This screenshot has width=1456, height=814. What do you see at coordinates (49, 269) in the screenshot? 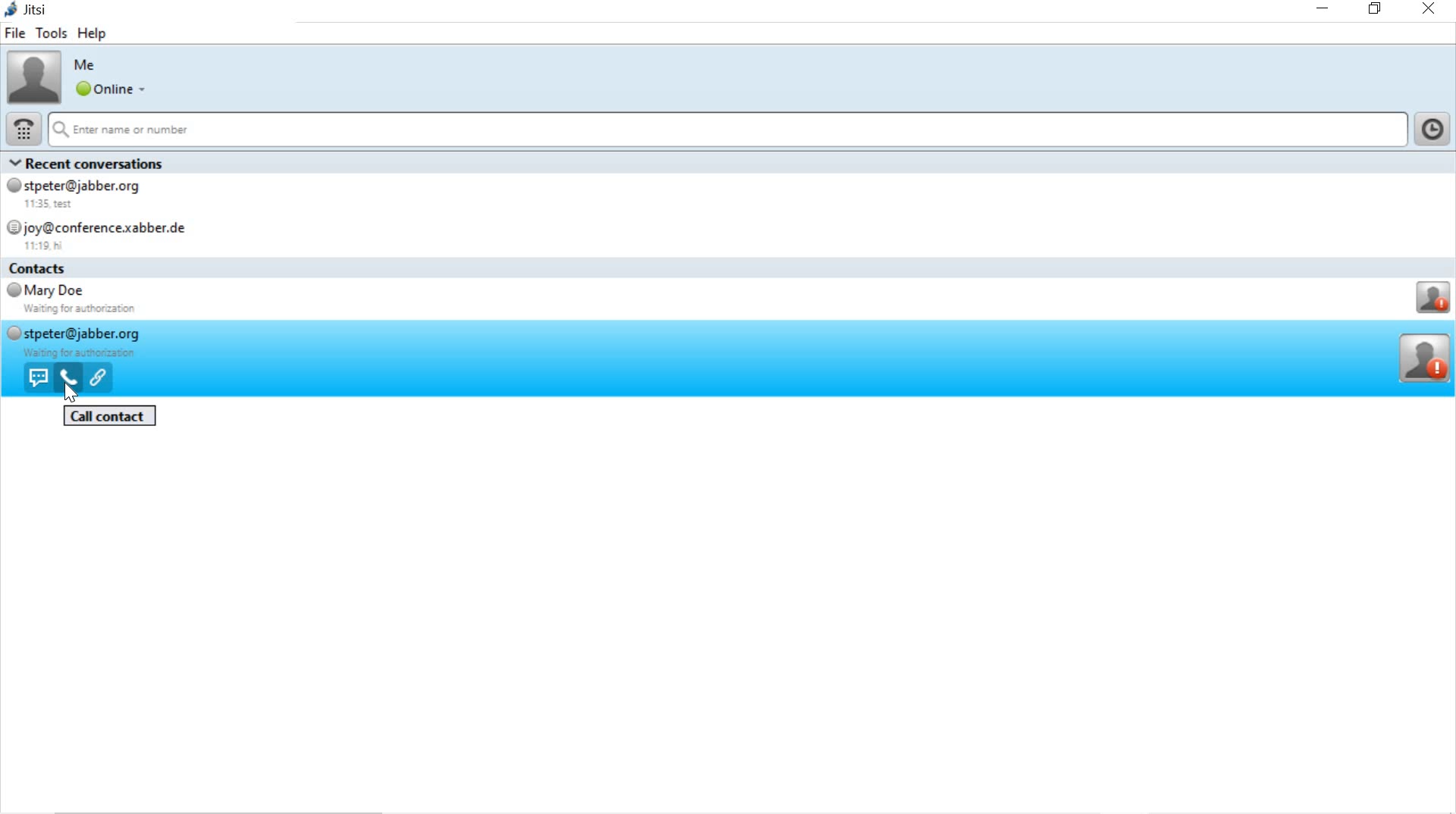
I see `contacts` at bounding box center [49, 269].